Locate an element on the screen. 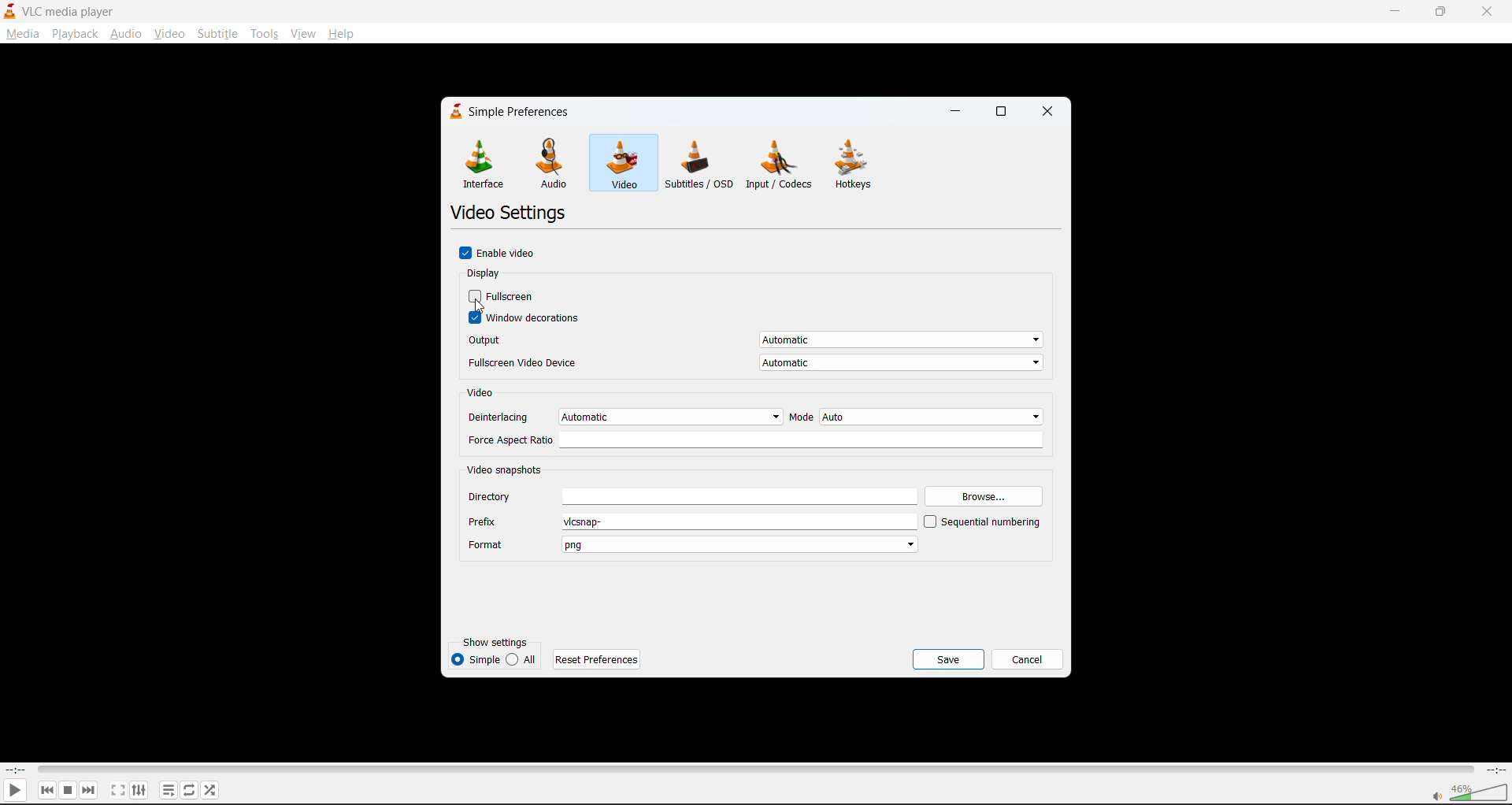  video is located at coordinates (169, 35).